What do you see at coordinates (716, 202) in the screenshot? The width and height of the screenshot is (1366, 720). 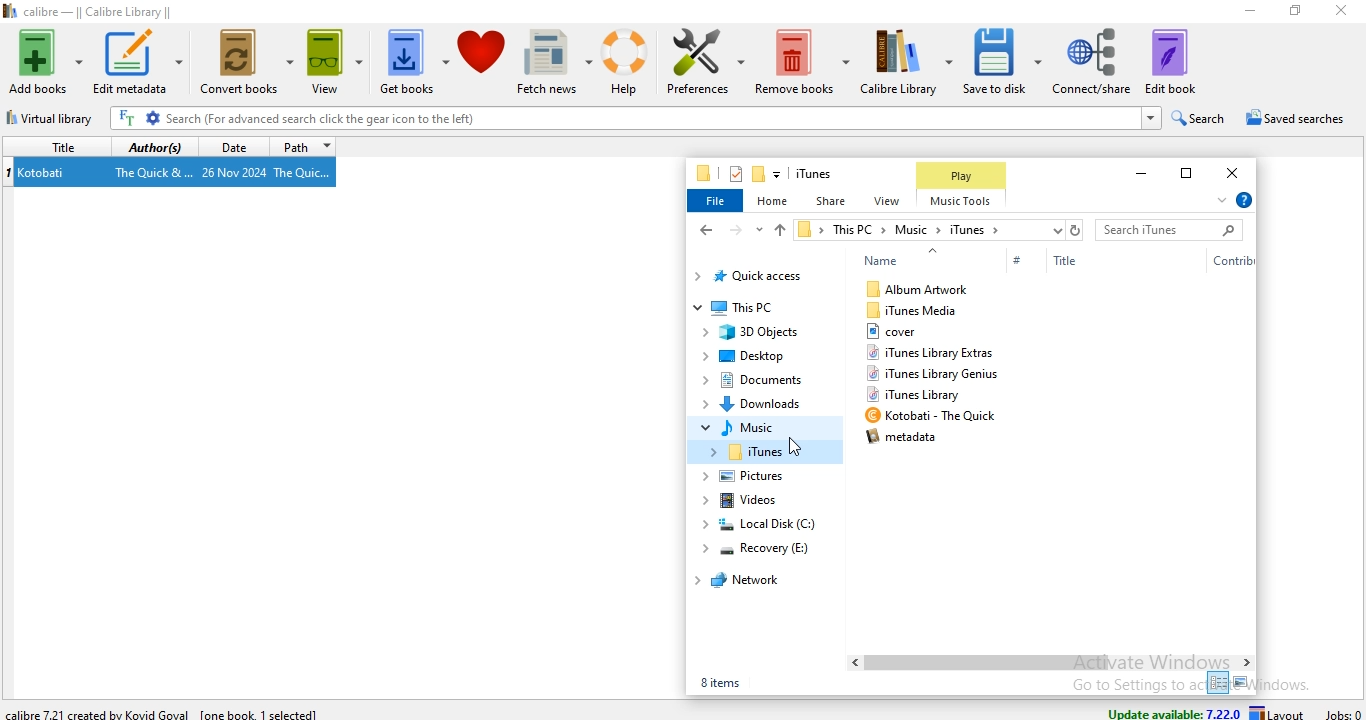 I see `file` at bounding box center [716, 202].